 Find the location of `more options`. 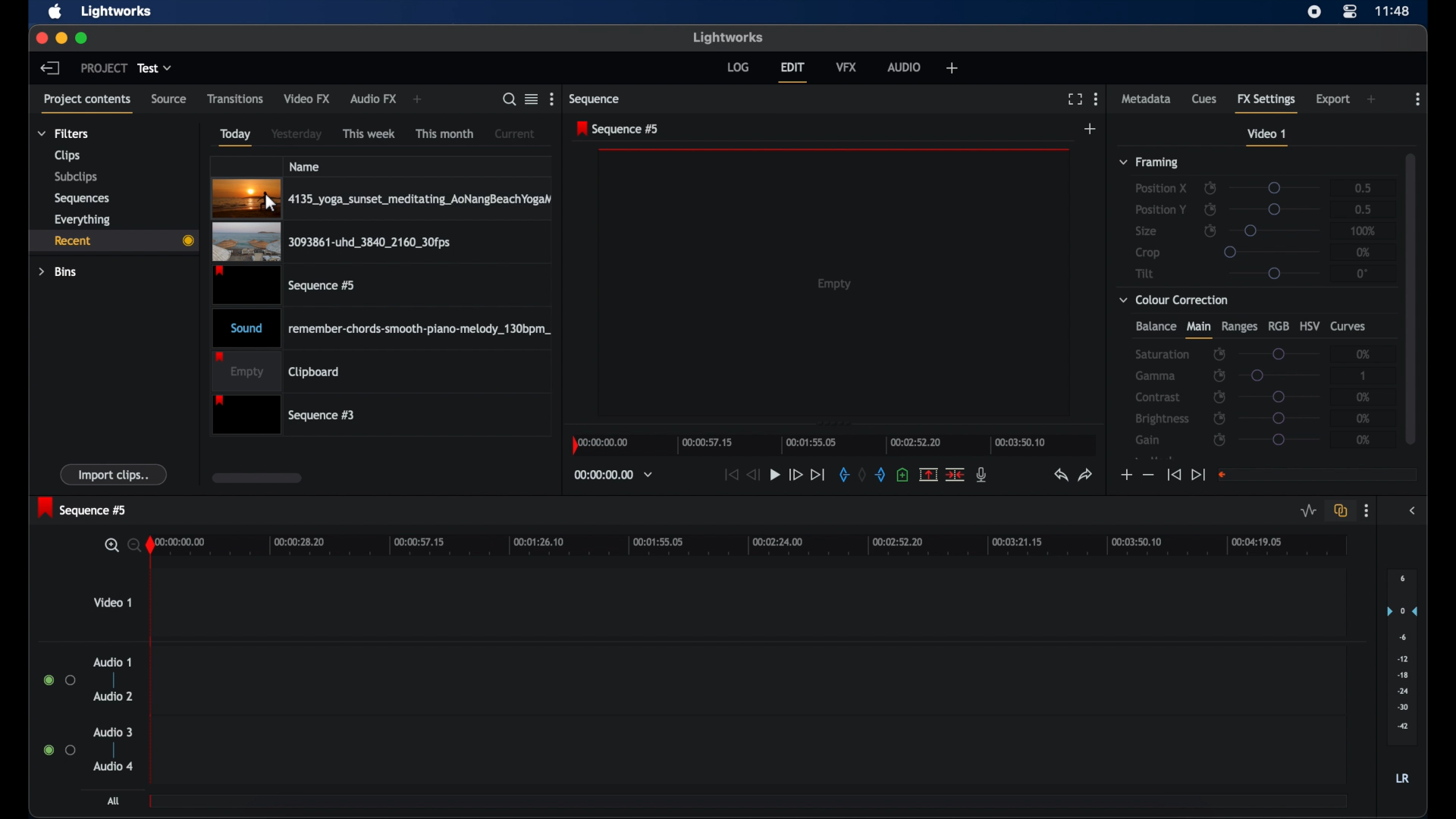

more options is located at coordinates (1096, 99).